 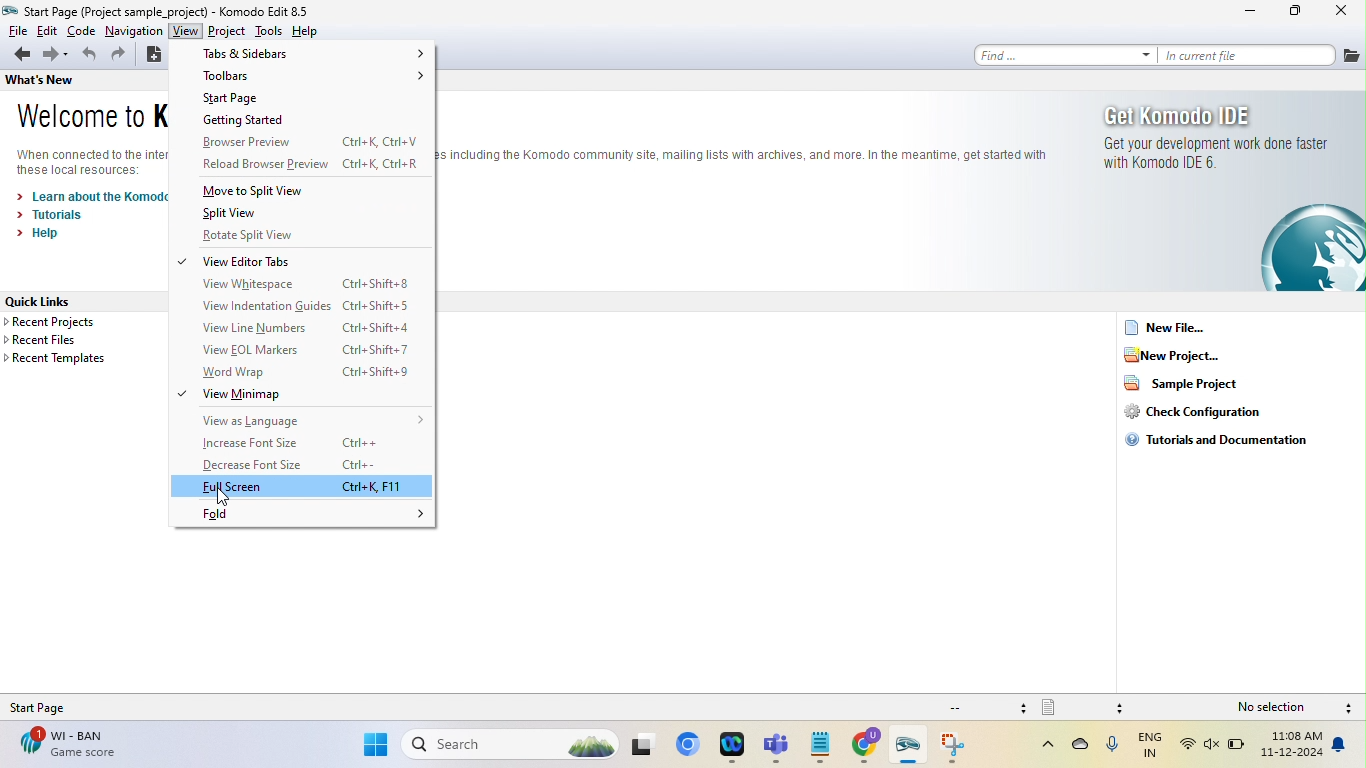 I want to click on komodo title, so click(x=277, y=10).